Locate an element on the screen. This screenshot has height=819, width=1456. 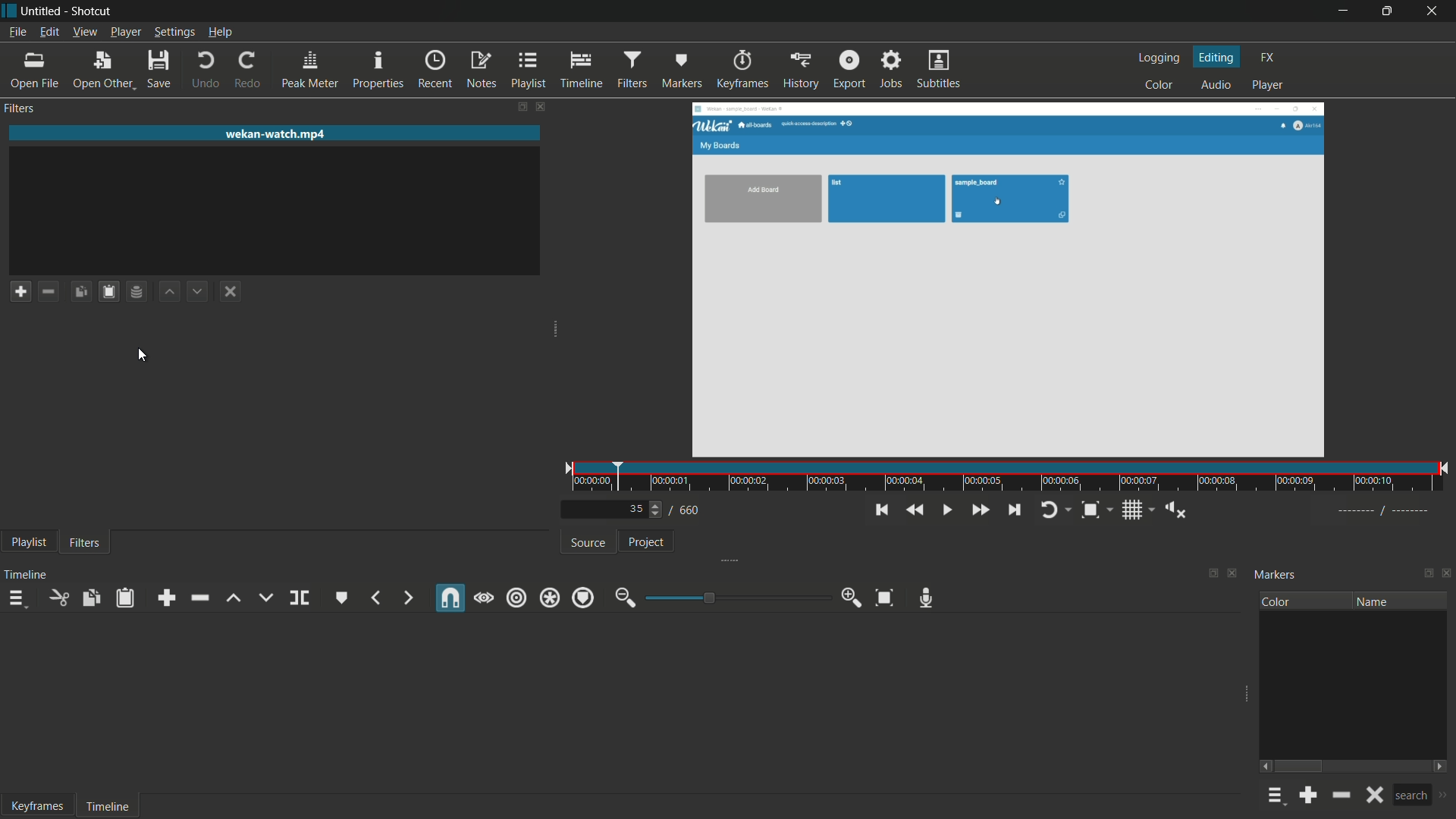
toggle play or pause is located at coordinates (945, 510).